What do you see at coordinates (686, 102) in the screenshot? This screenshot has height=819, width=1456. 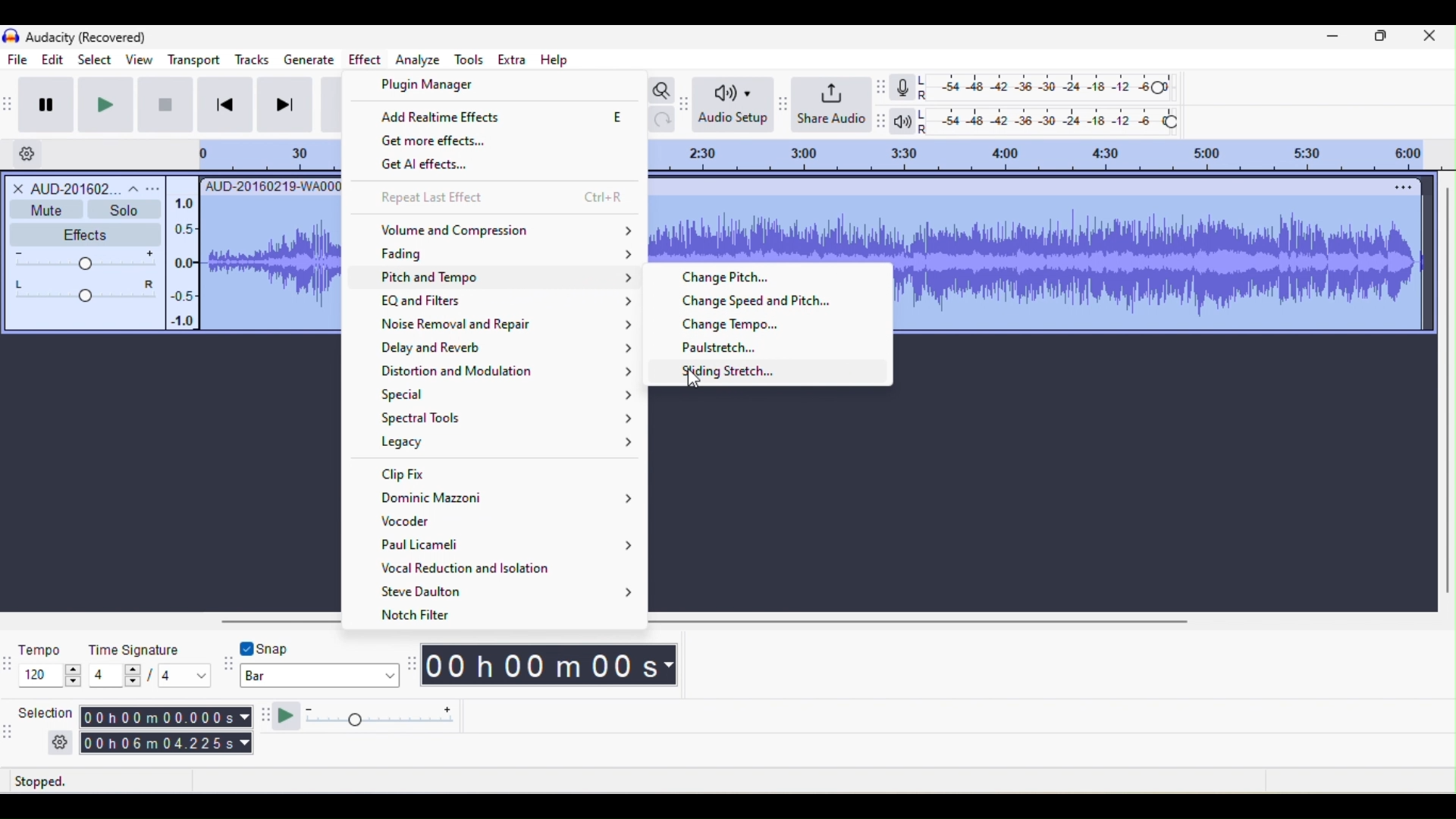 I see `audacity audio setup` at bounding box center [686, 102].